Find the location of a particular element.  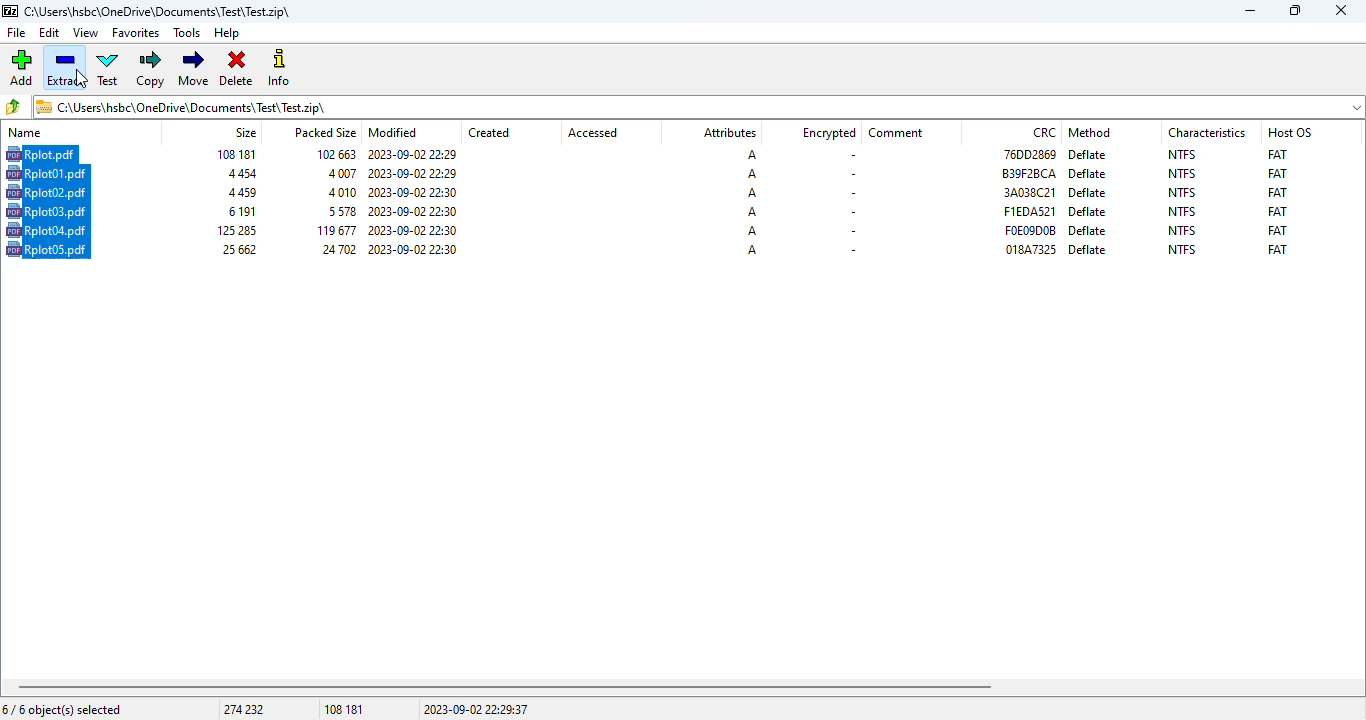

name is located at coordinates (25, 133).